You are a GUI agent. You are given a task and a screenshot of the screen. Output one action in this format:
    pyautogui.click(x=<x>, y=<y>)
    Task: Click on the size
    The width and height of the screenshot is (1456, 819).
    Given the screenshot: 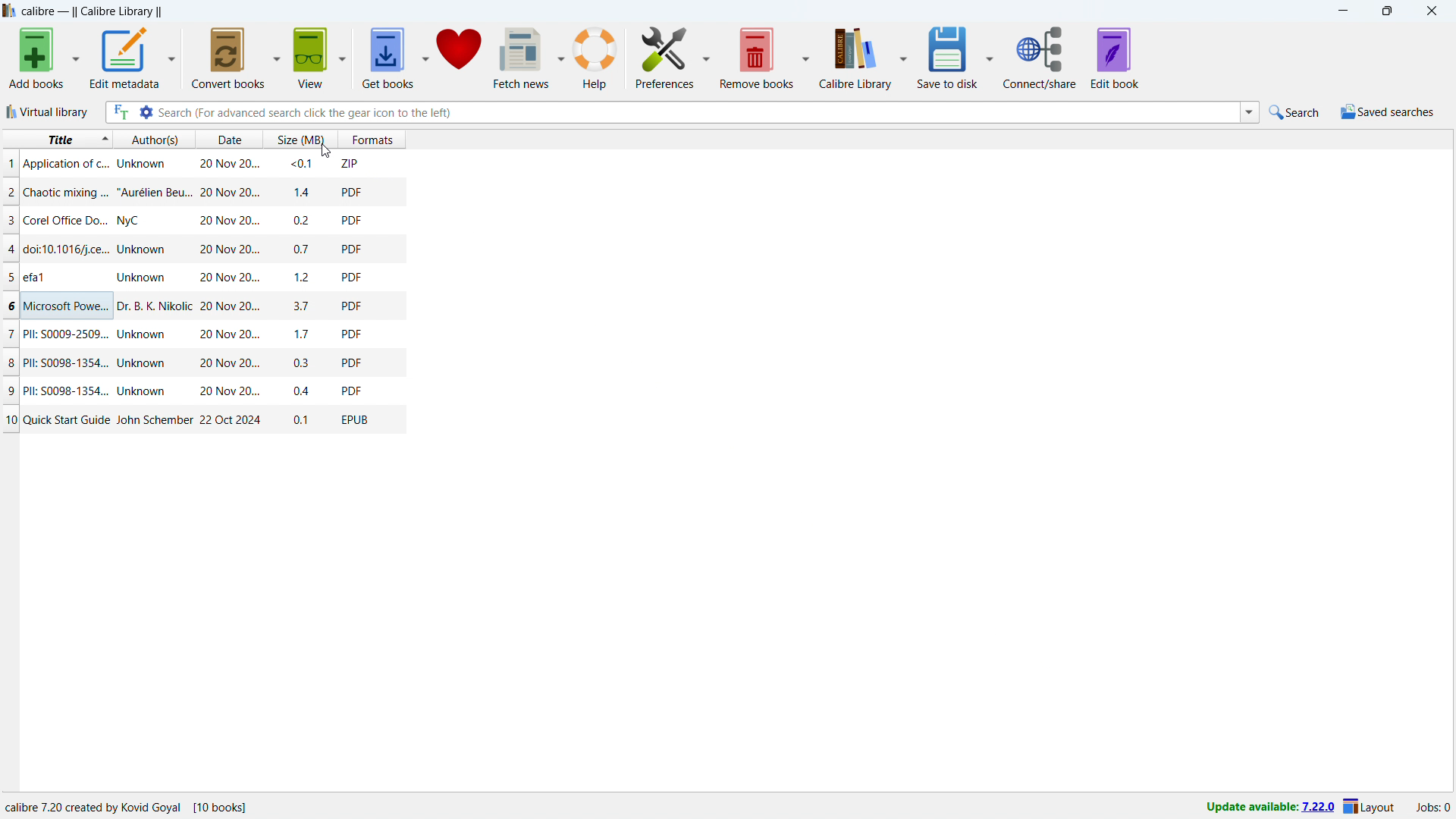 What is the action you would take?
    pyautogui.click(x=303, y=334)
    